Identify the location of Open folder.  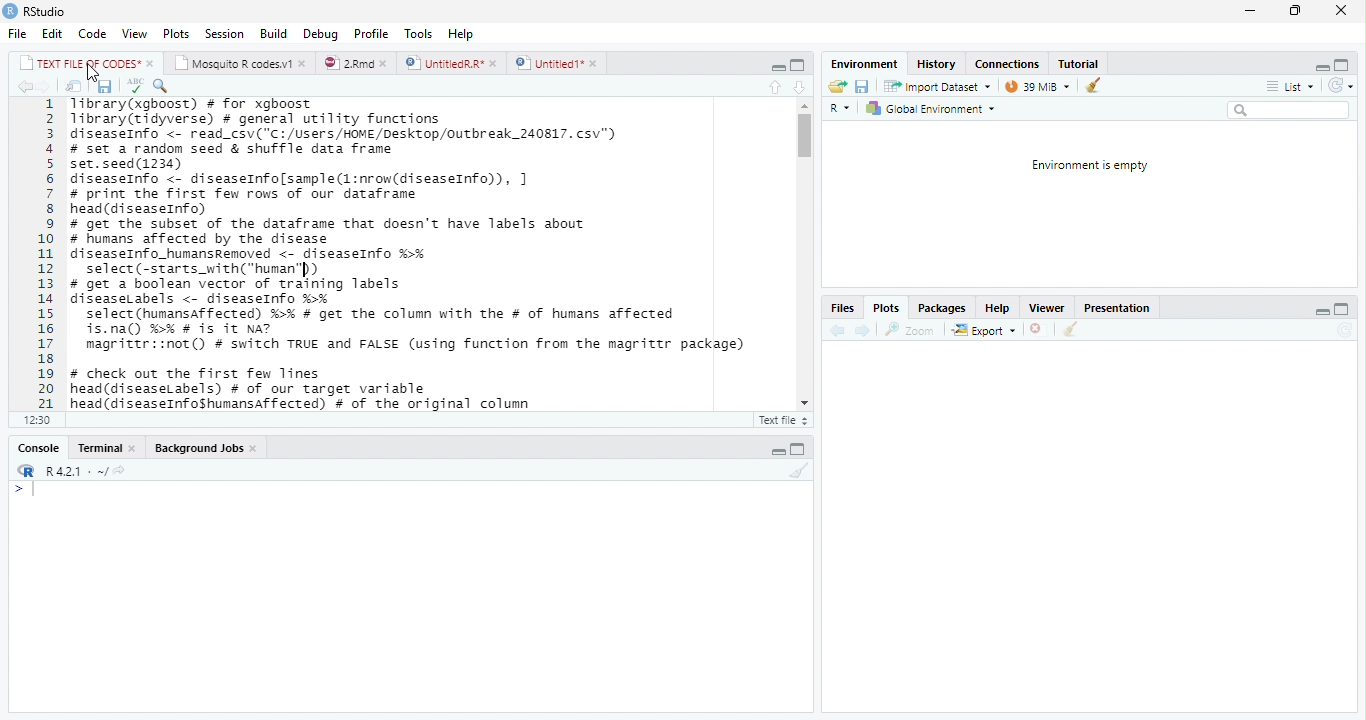
(837, 85).